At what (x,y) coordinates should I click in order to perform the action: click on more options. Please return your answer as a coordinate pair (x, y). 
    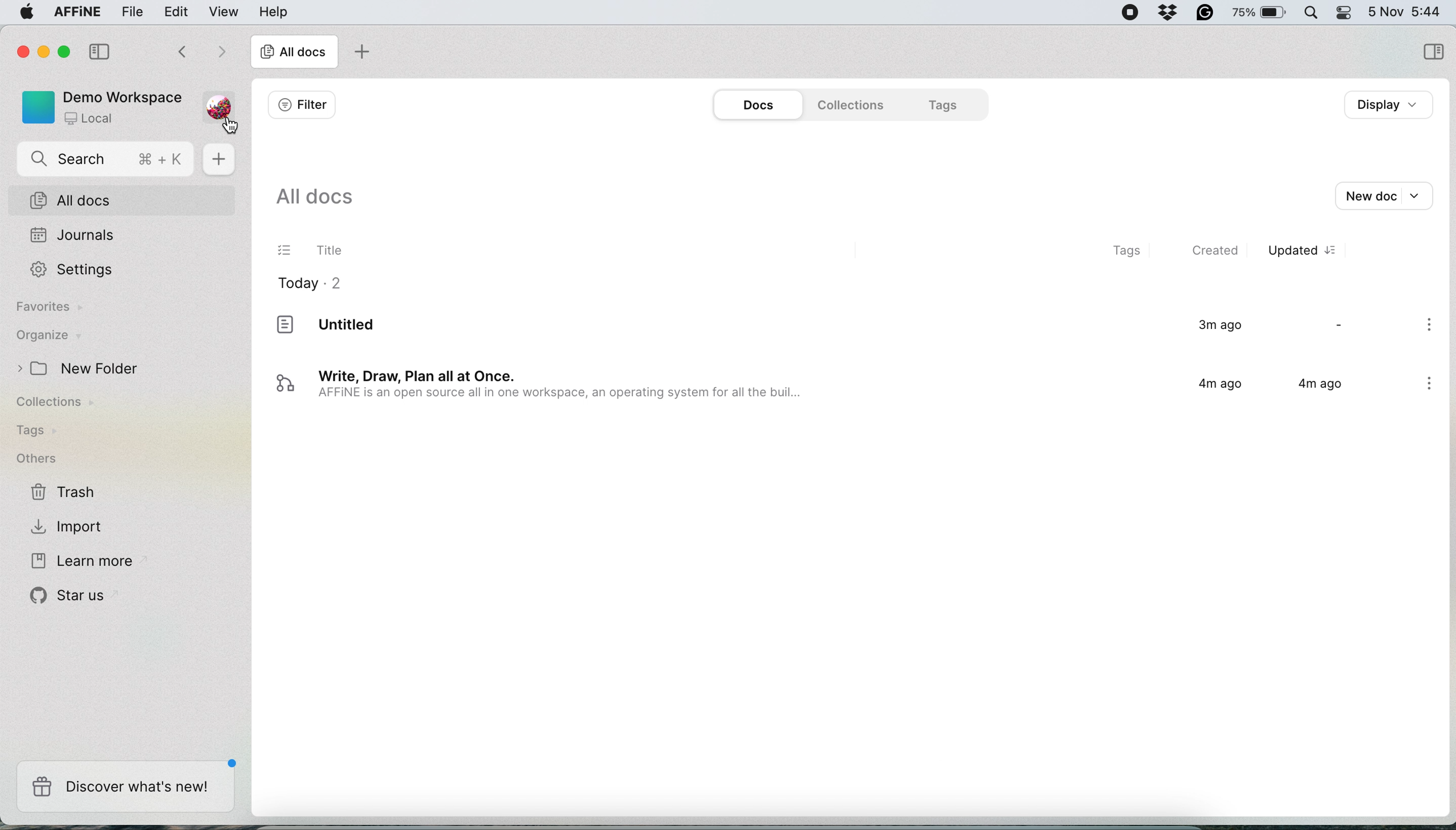
    Looking at the image, I should click on (1431, 326).